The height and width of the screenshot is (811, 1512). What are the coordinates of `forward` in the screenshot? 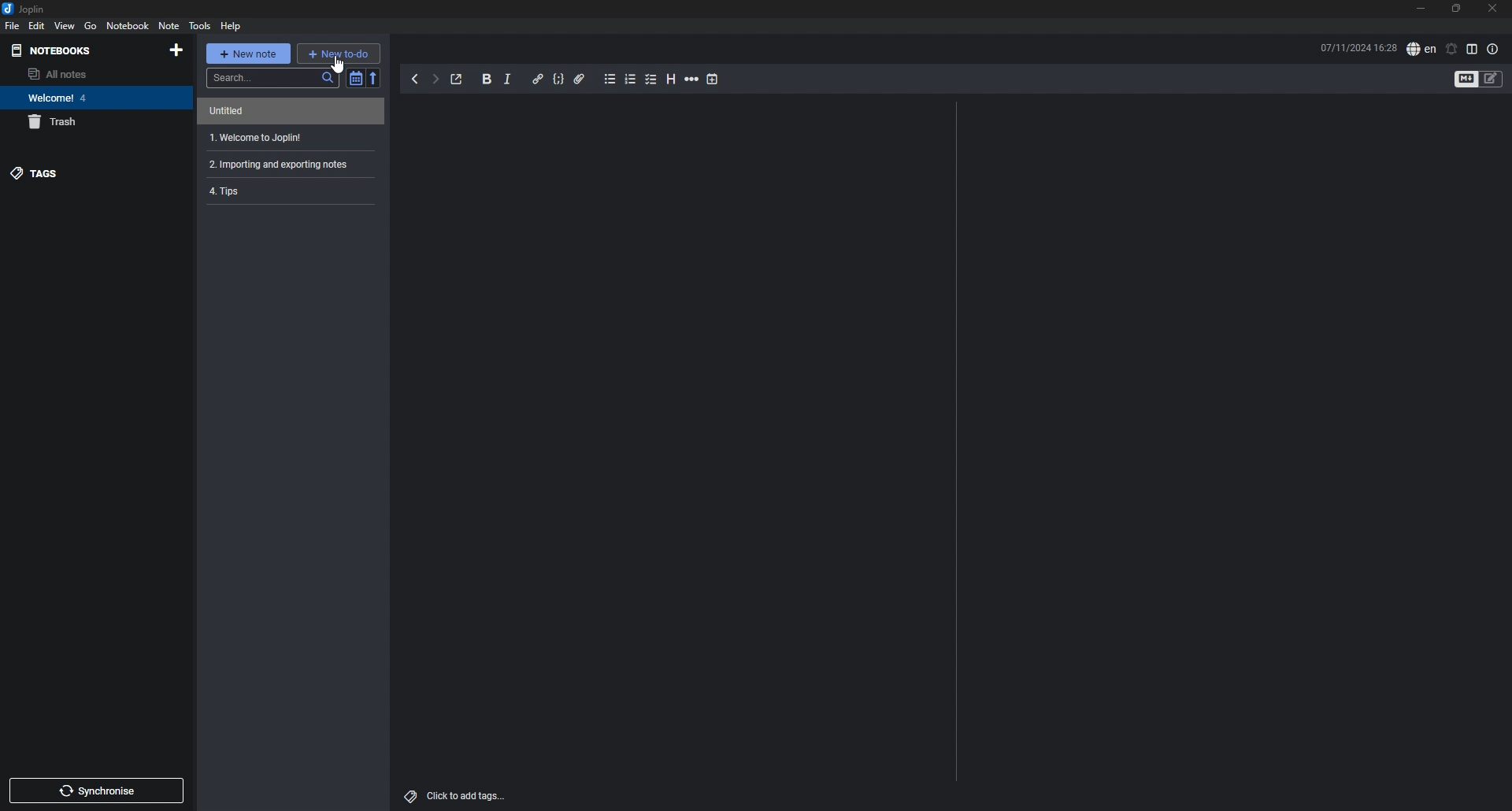 It's located at (435, 80).